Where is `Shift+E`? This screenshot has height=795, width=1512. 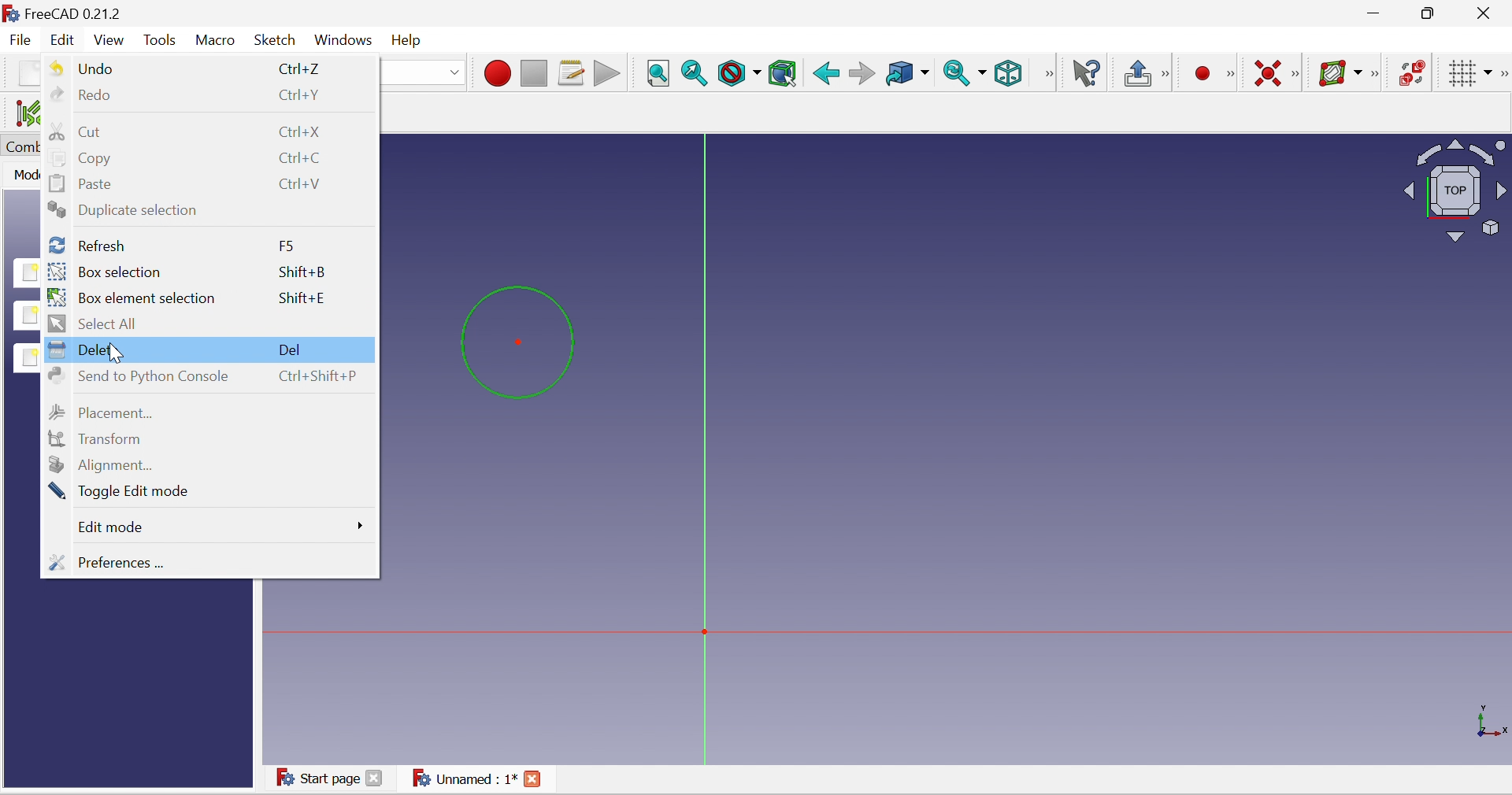
Shift+E is located at coordinates (302, 299).